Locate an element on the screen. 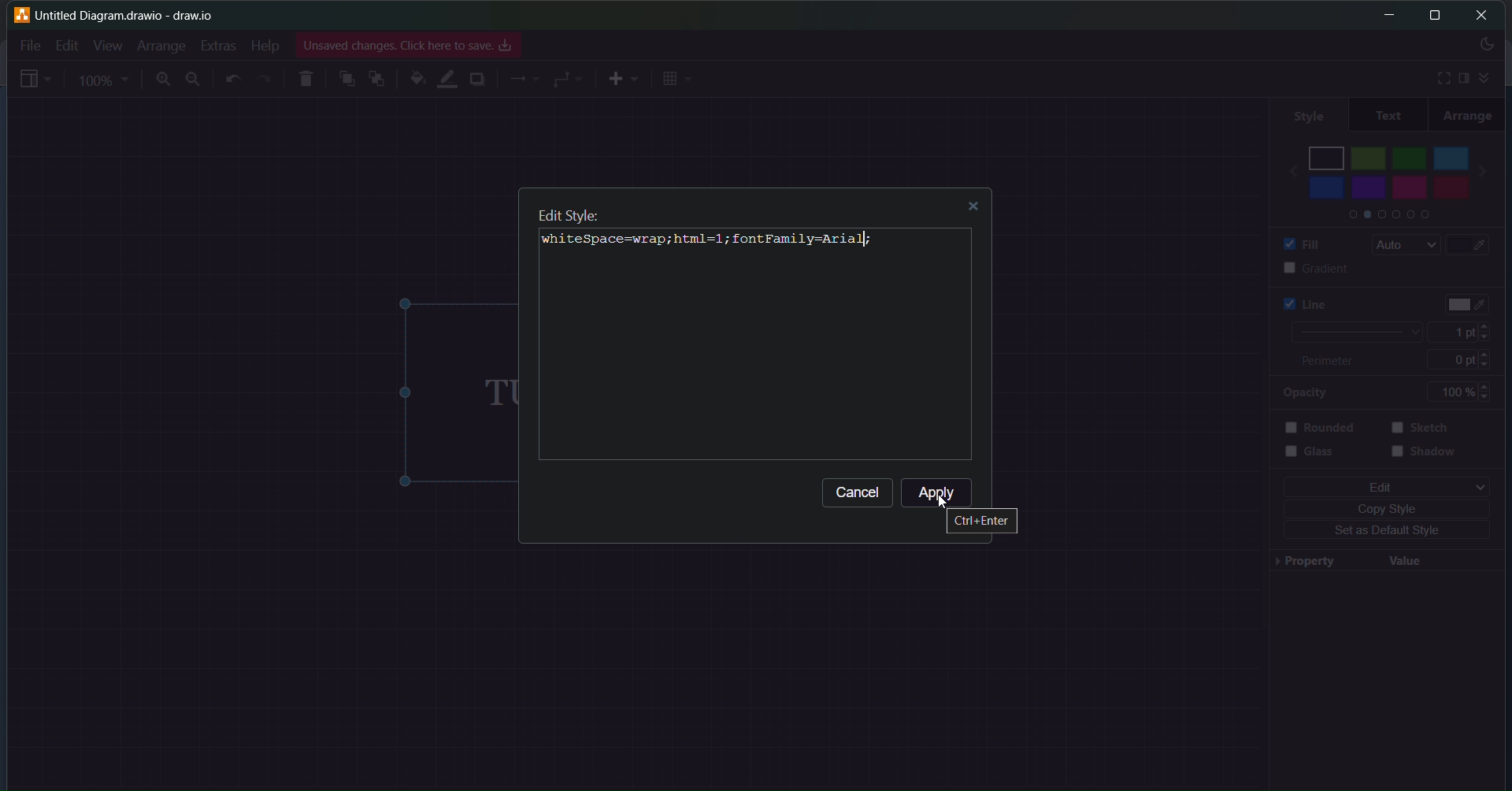 This screenshot has width=1512, height=791. property is located at coordinates (1302, 563).